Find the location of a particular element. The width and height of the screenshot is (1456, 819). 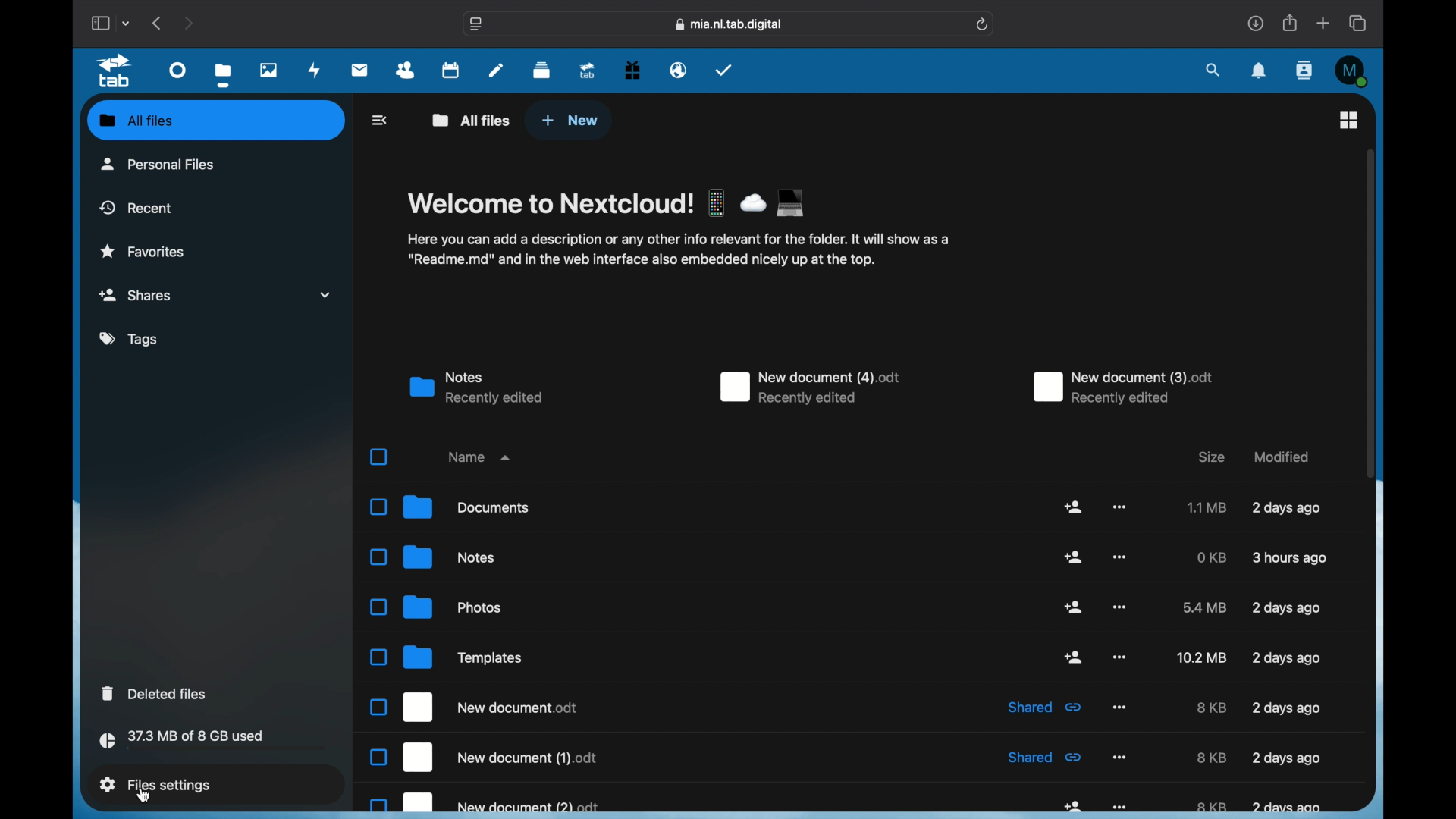

more options is located at coordinates (1120, 757).